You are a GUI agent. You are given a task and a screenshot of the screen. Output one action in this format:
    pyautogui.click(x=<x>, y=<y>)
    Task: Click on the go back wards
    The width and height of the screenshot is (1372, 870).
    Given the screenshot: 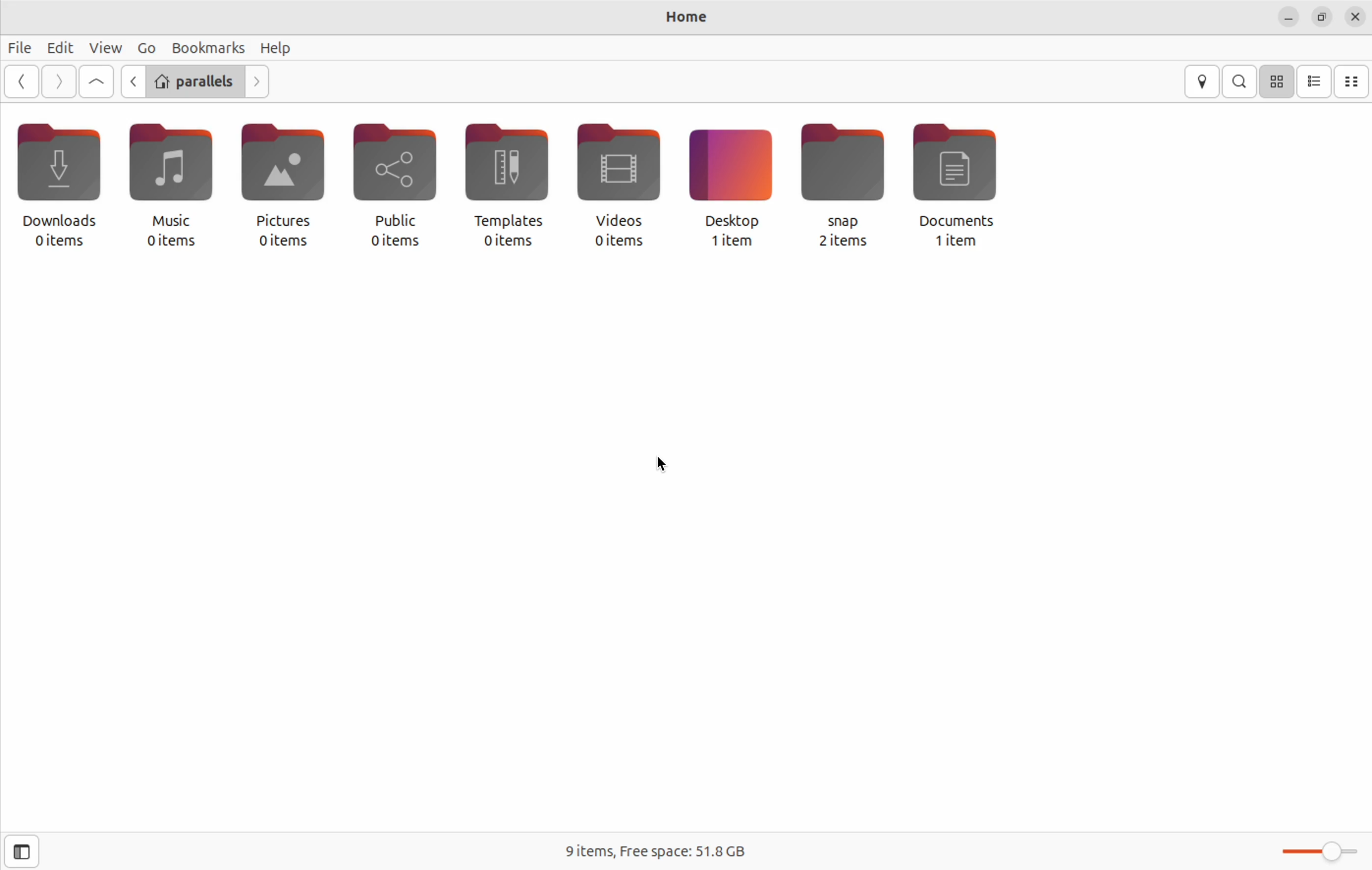 What is the action you would take?
    pyautogui.click(x=24, y=80)
    